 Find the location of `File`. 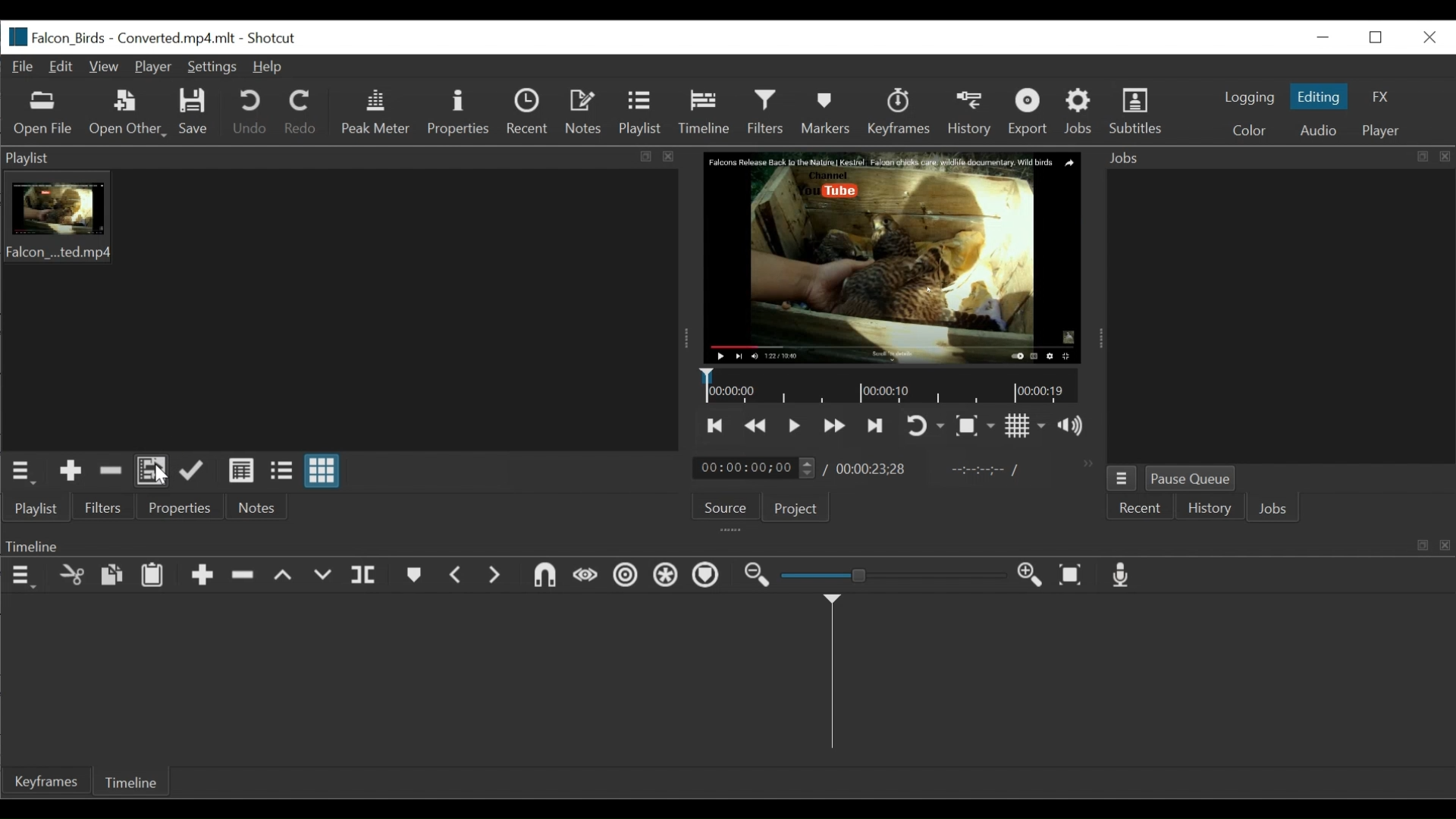

File is located at coordinates (24, 67).